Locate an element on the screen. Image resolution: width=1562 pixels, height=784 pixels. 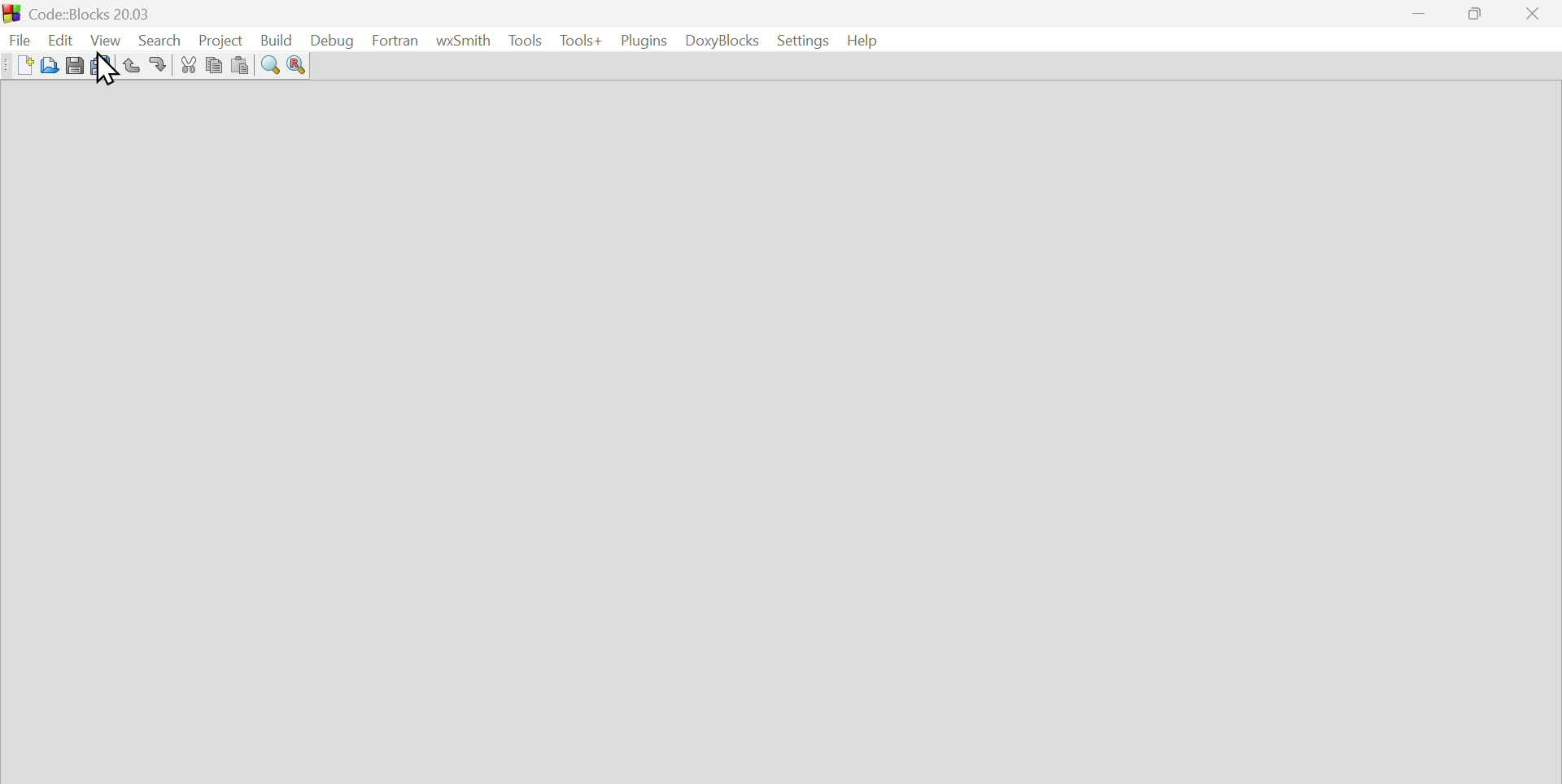
Project is located at coordinates (222, 39).